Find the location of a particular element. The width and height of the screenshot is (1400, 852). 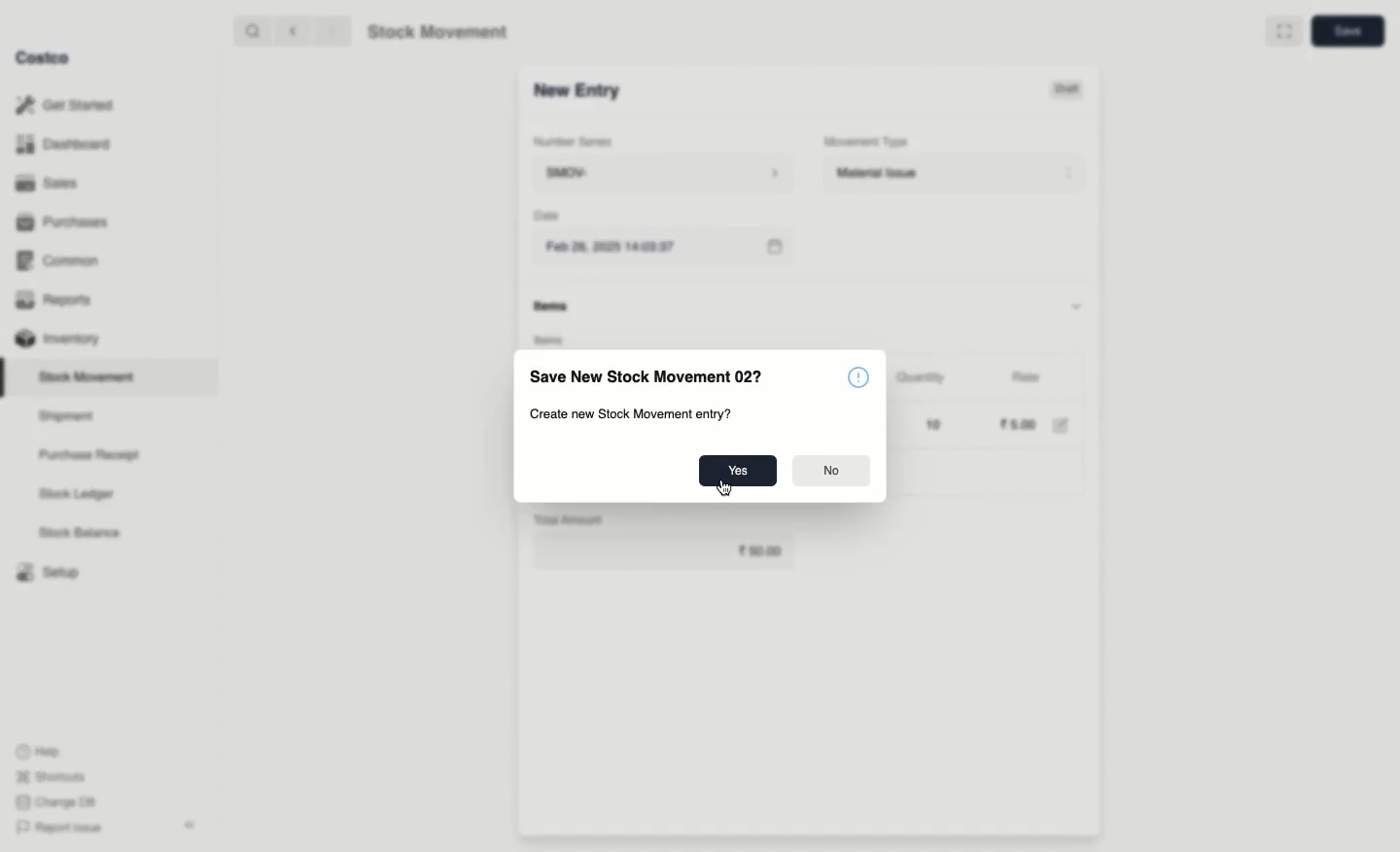

New Entry is located at coordinates (579, 94).